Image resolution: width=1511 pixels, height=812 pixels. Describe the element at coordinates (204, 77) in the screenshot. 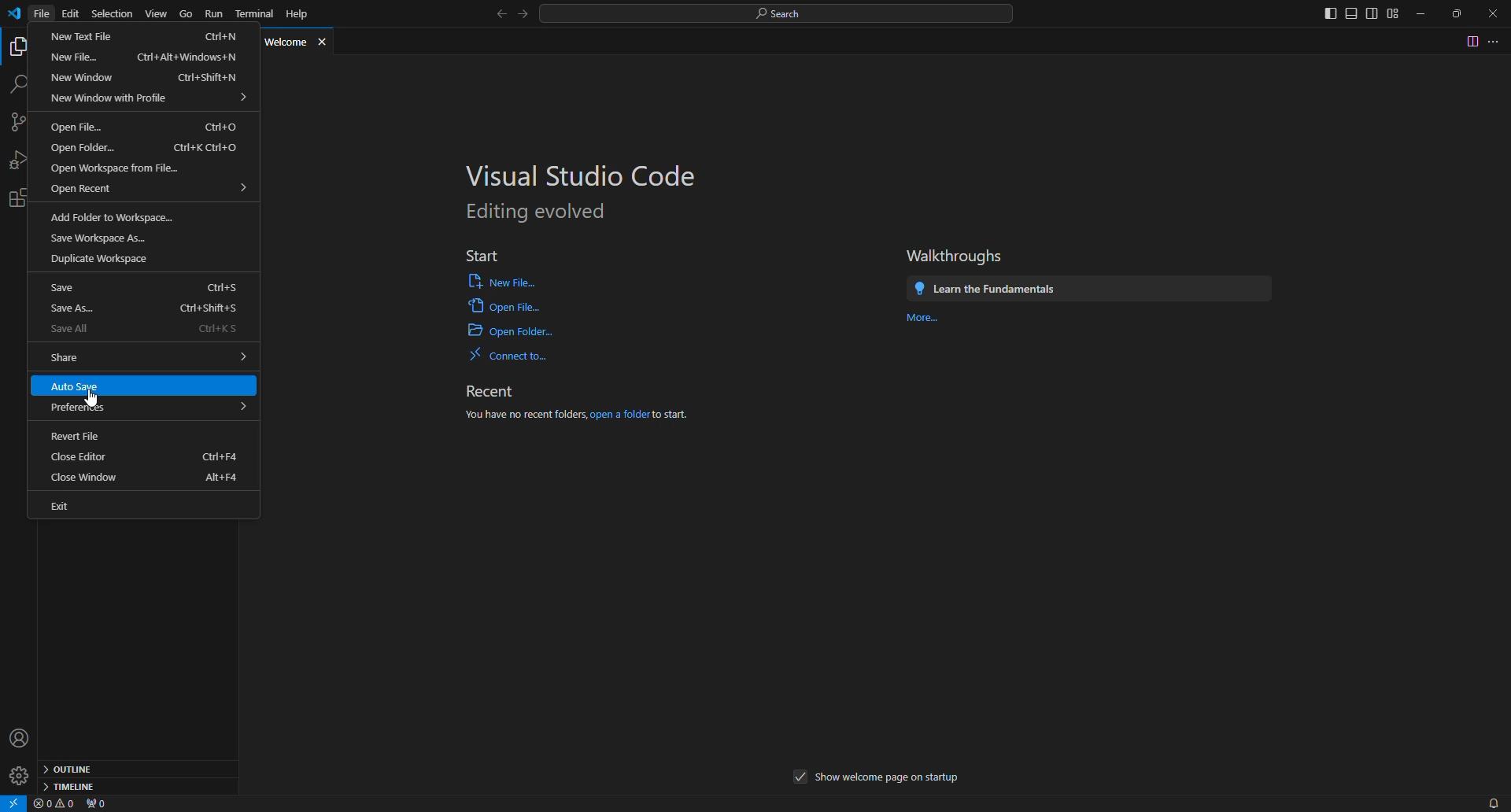

I see `ctrl+shift+n` at that location.